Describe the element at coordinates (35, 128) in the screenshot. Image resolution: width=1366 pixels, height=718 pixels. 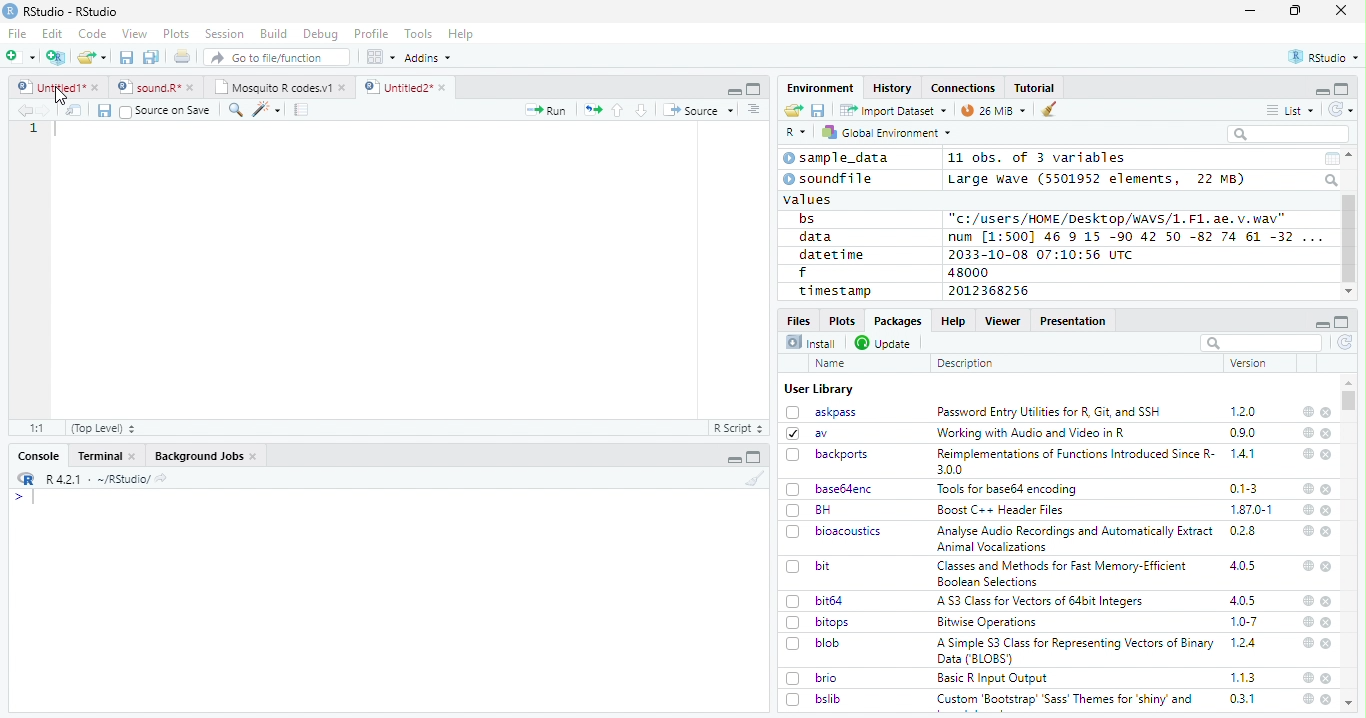
I see `1` at that location.